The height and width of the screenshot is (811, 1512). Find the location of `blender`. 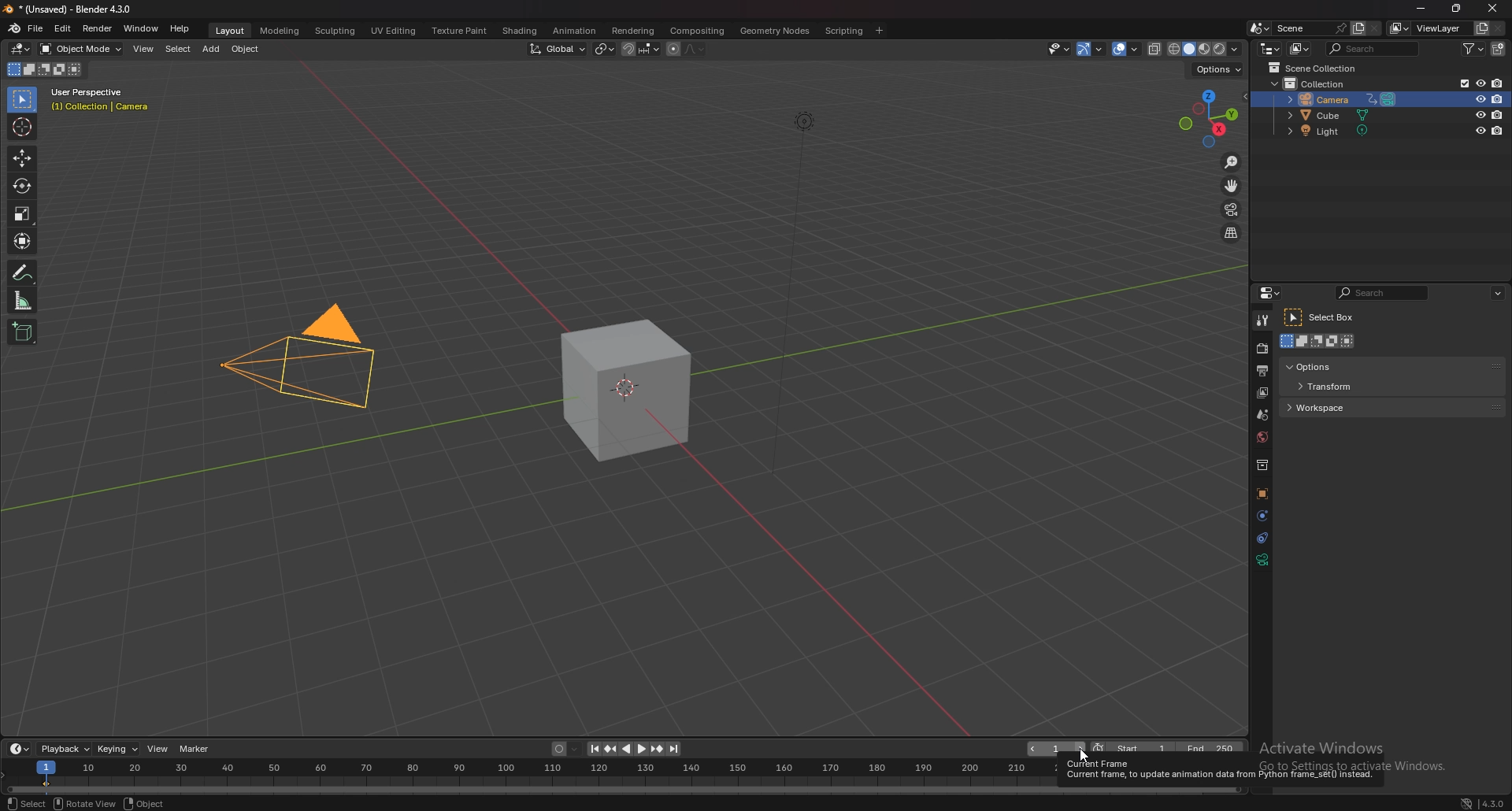

blender is located at coordinates (16, 28).